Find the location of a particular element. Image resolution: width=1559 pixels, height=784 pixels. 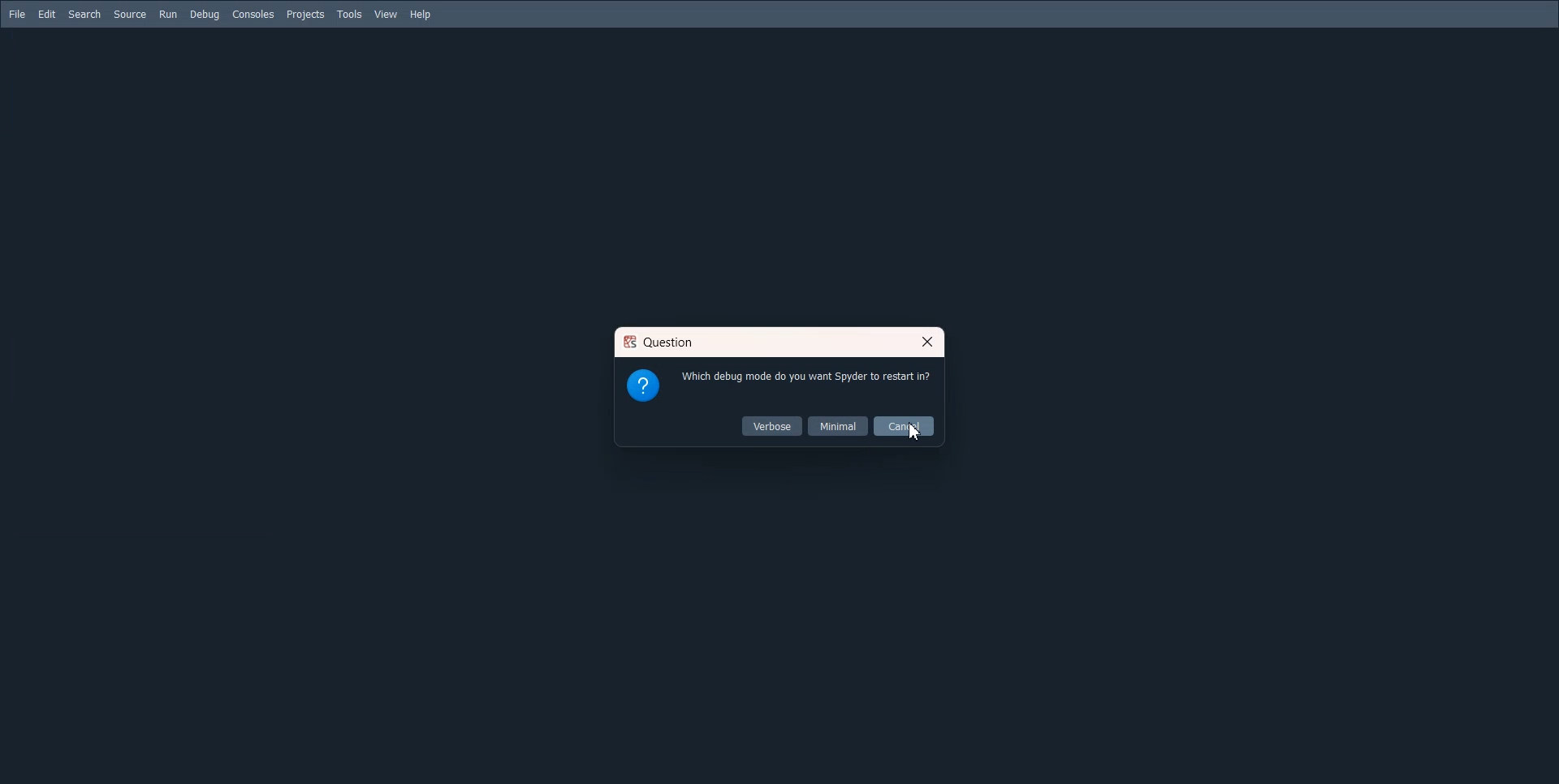

Help is located at coordinates (422, 15).